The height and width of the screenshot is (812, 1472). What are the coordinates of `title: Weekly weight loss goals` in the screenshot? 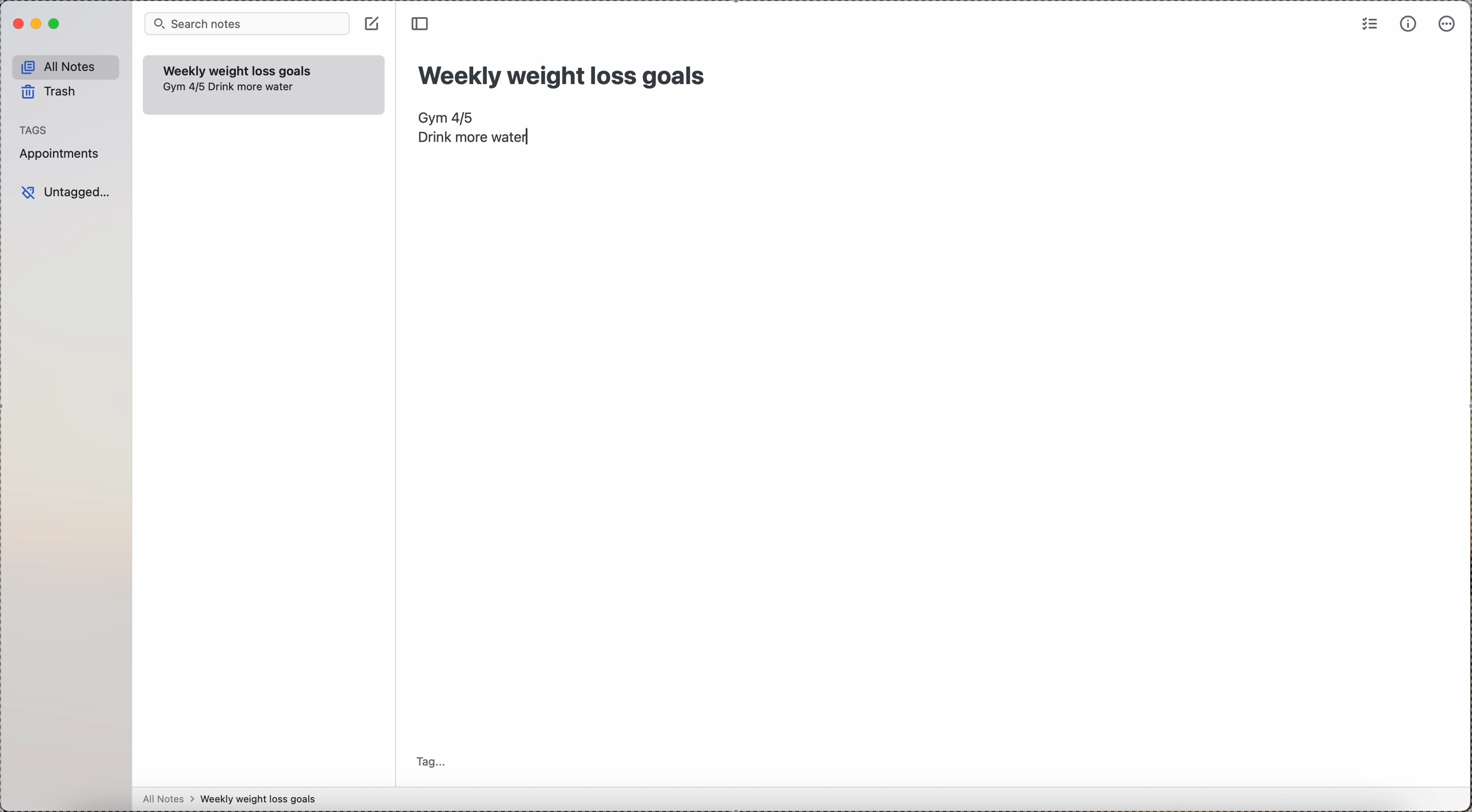 It's located at (565, 73).